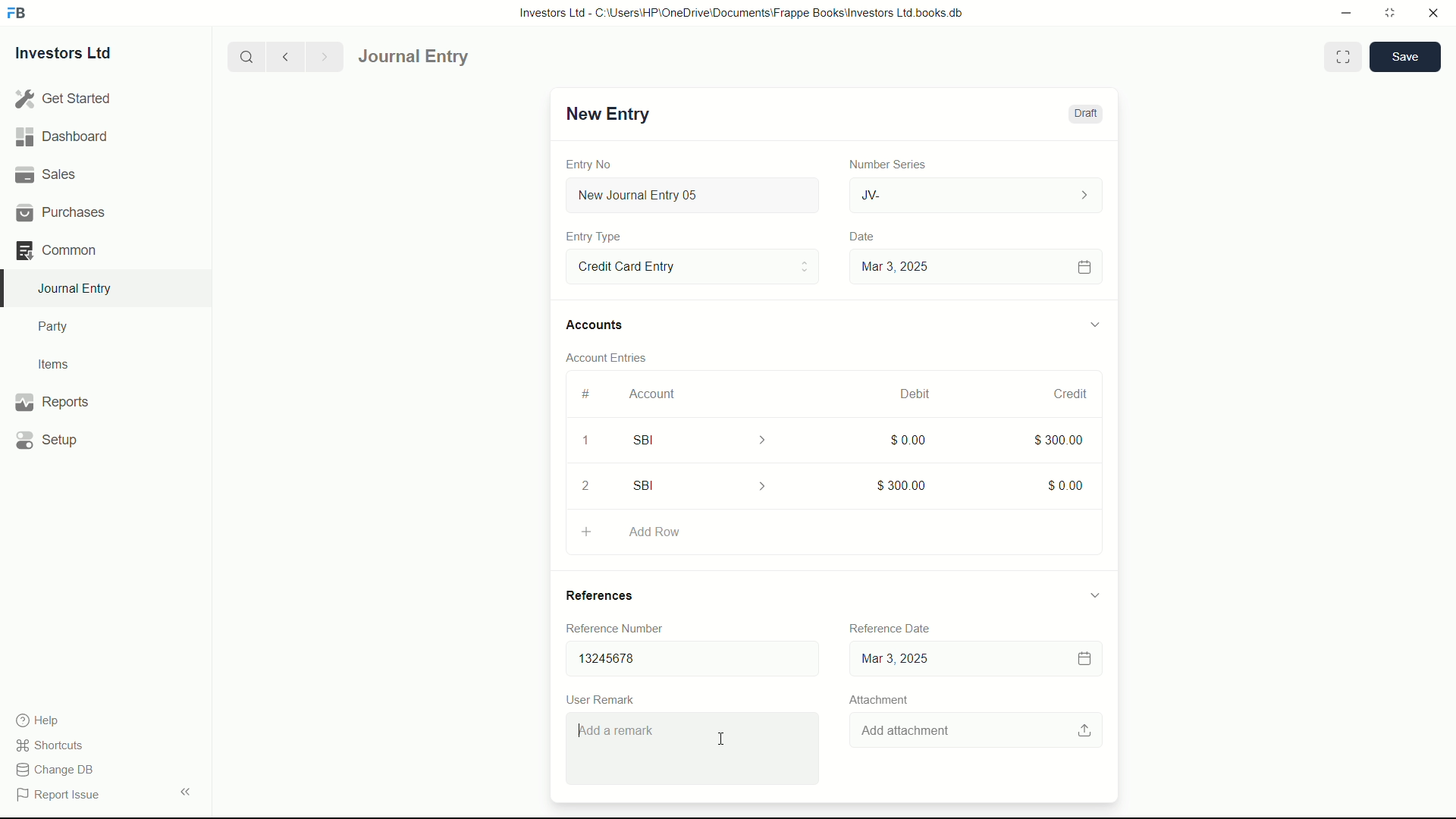 The image size is (1456, 819). Describe the element at coordinates (457, 57) in the screenshot. I see `Journal entry` at that location.